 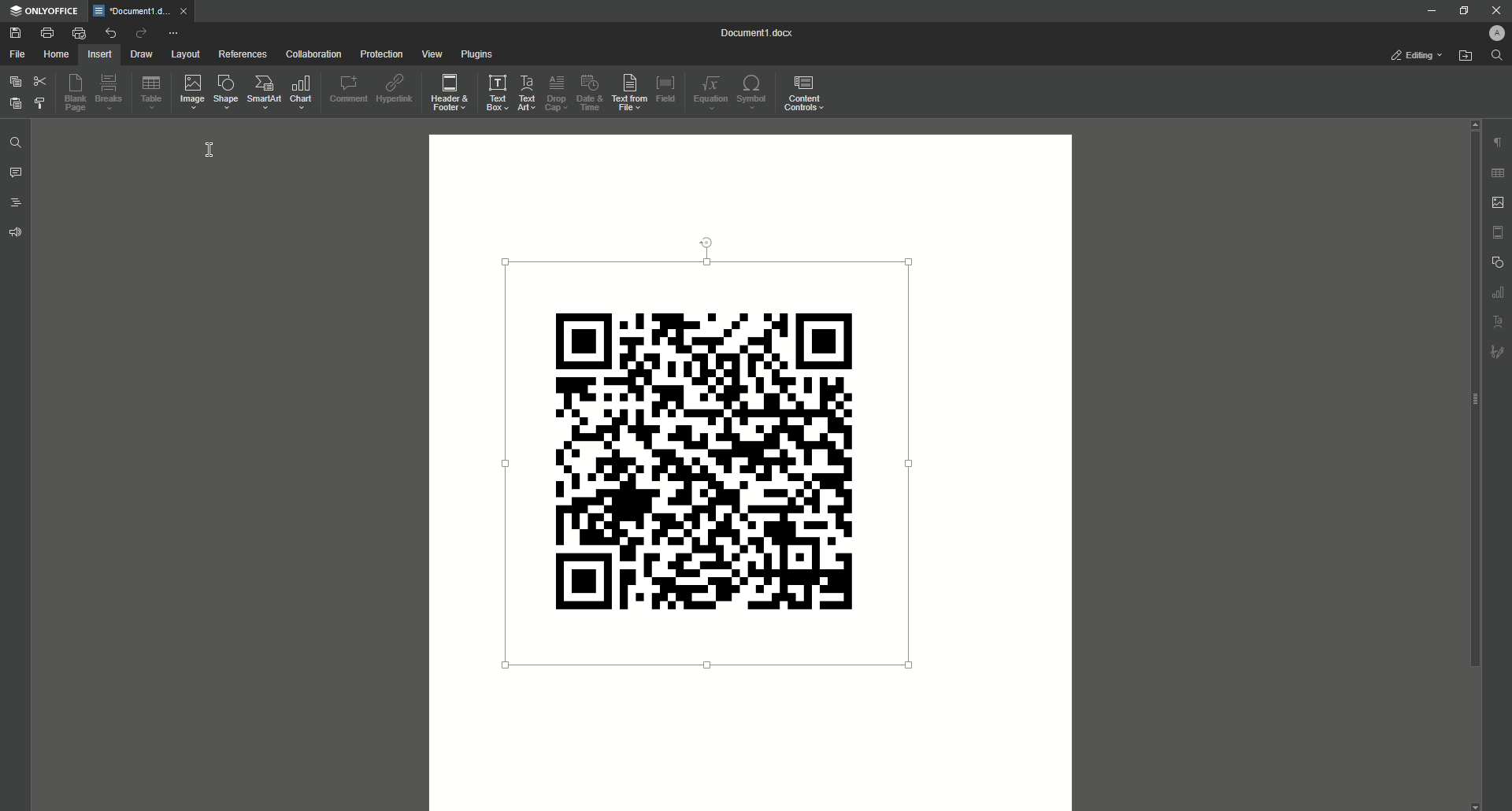 What do you see at coordinates (706, 94) in the screenshot?
I see `Equation` at bounding box center [706, 94].